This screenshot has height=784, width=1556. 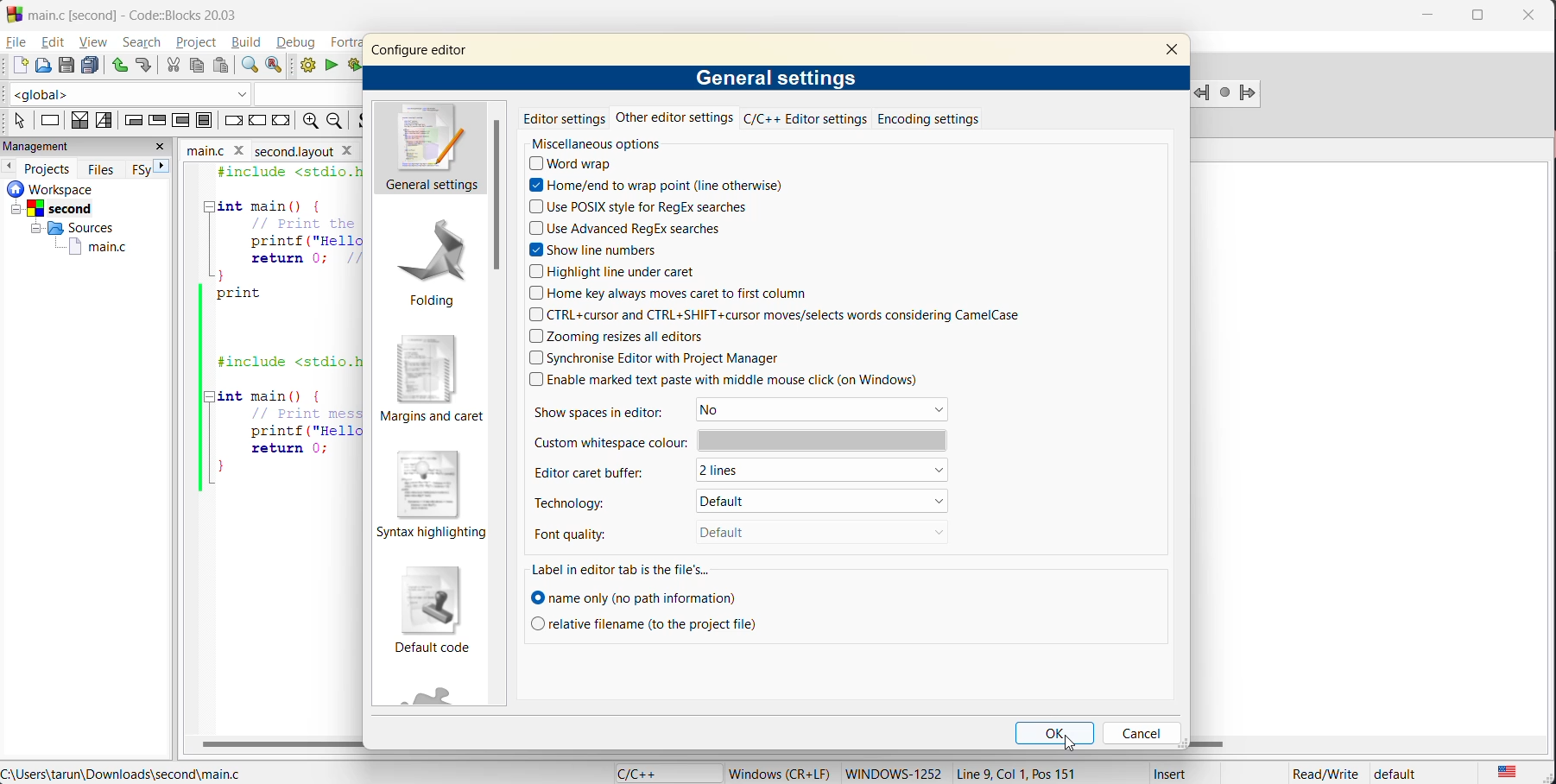 I want to click on select, so click(x=16, y=122).